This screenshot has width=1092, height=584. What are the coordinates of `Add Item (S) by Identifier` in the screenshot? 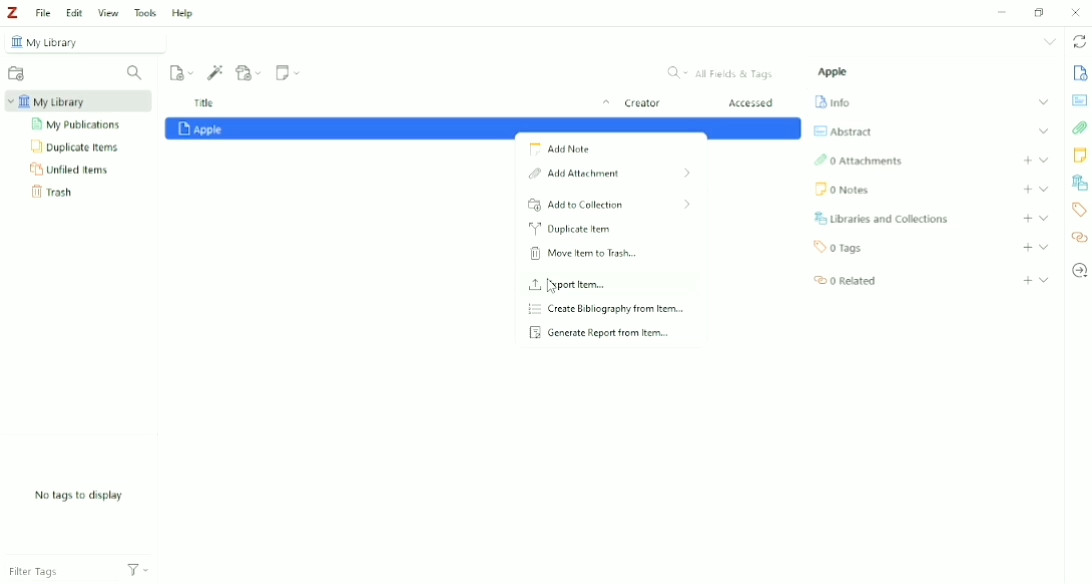 It's located at (216, 72).